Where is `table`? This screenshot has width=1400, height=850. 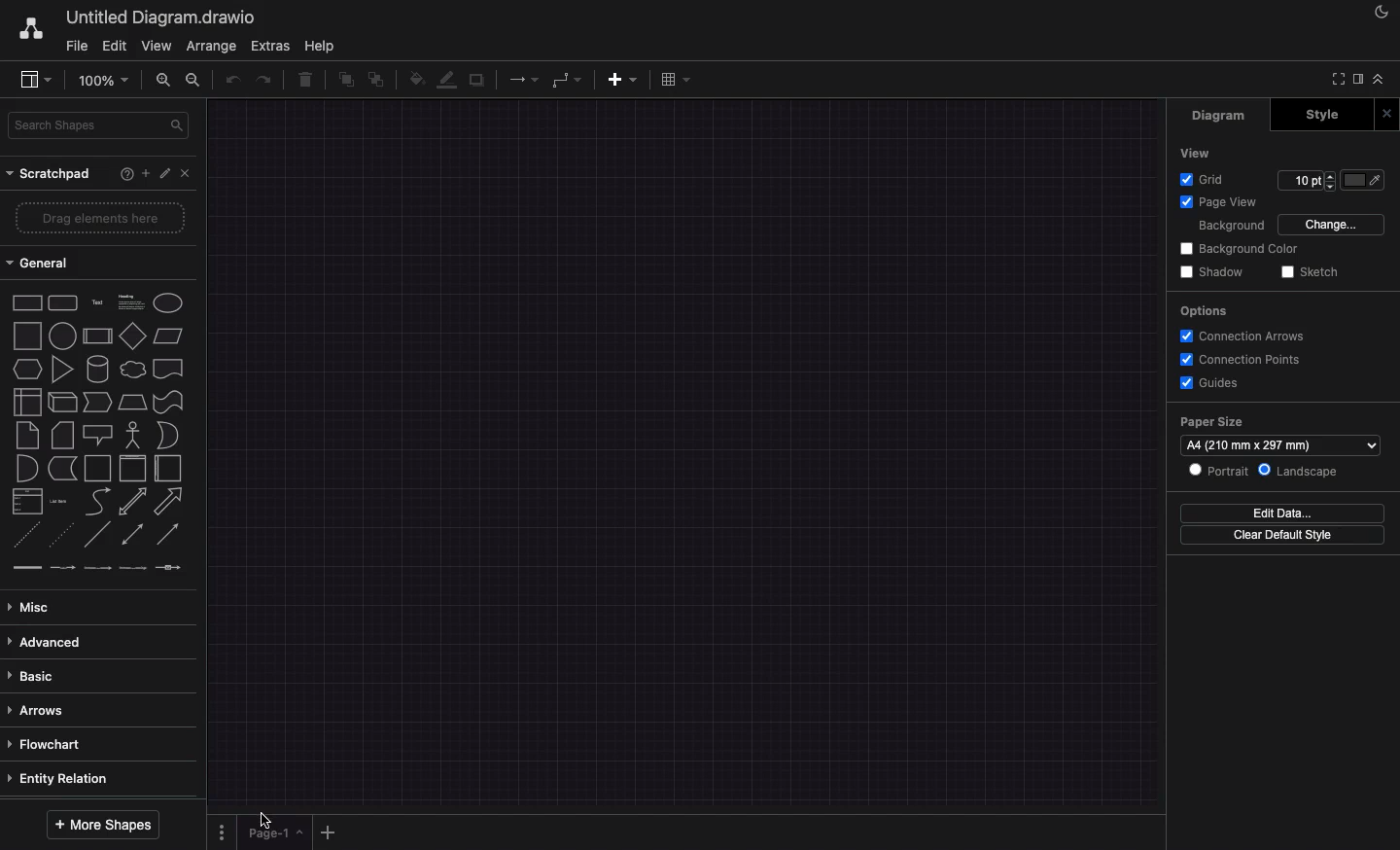
table is located at coordinates (676, 79).